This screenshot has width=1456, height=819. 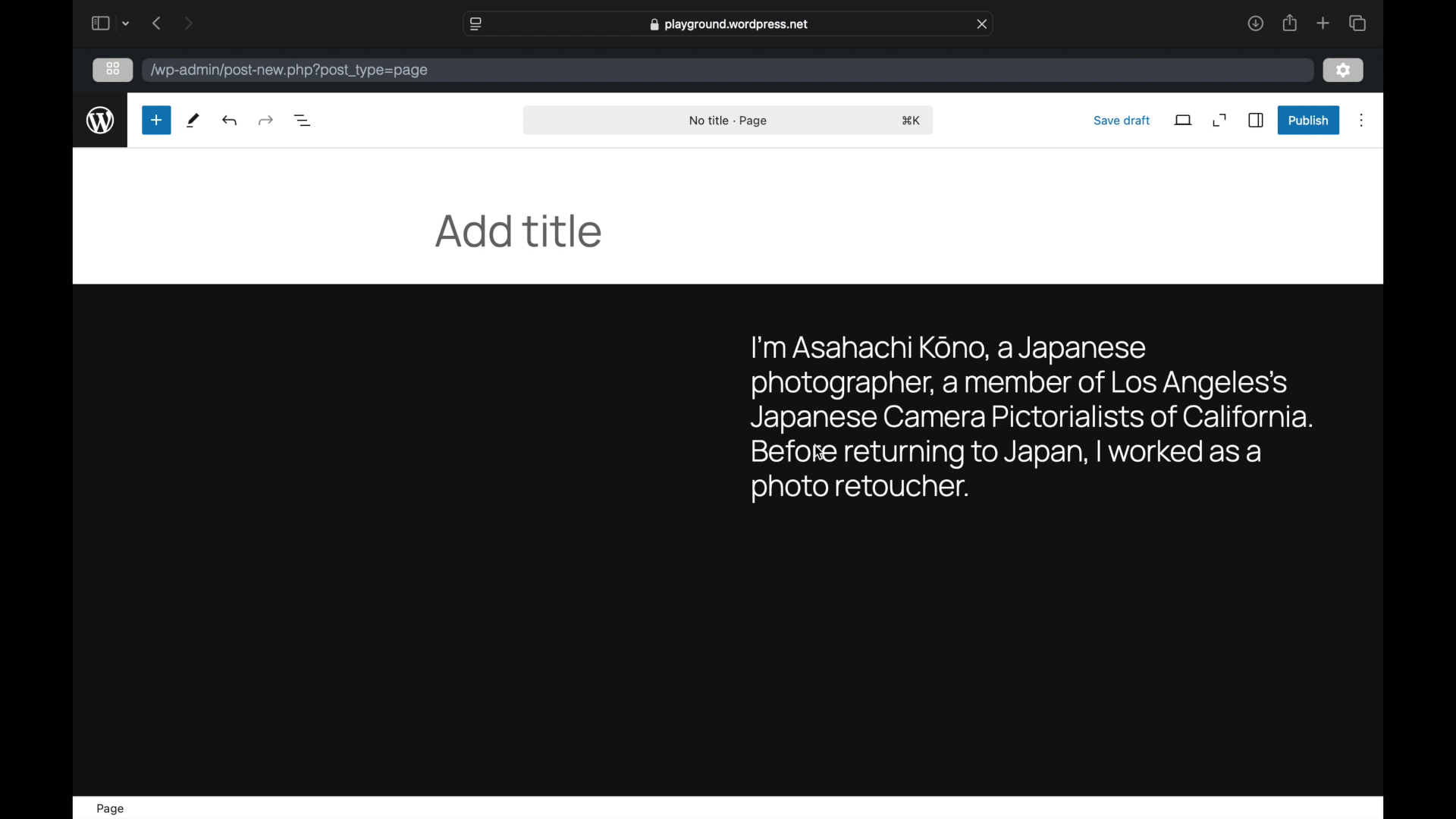 I want to click on web address, so click(x=731, y=24).